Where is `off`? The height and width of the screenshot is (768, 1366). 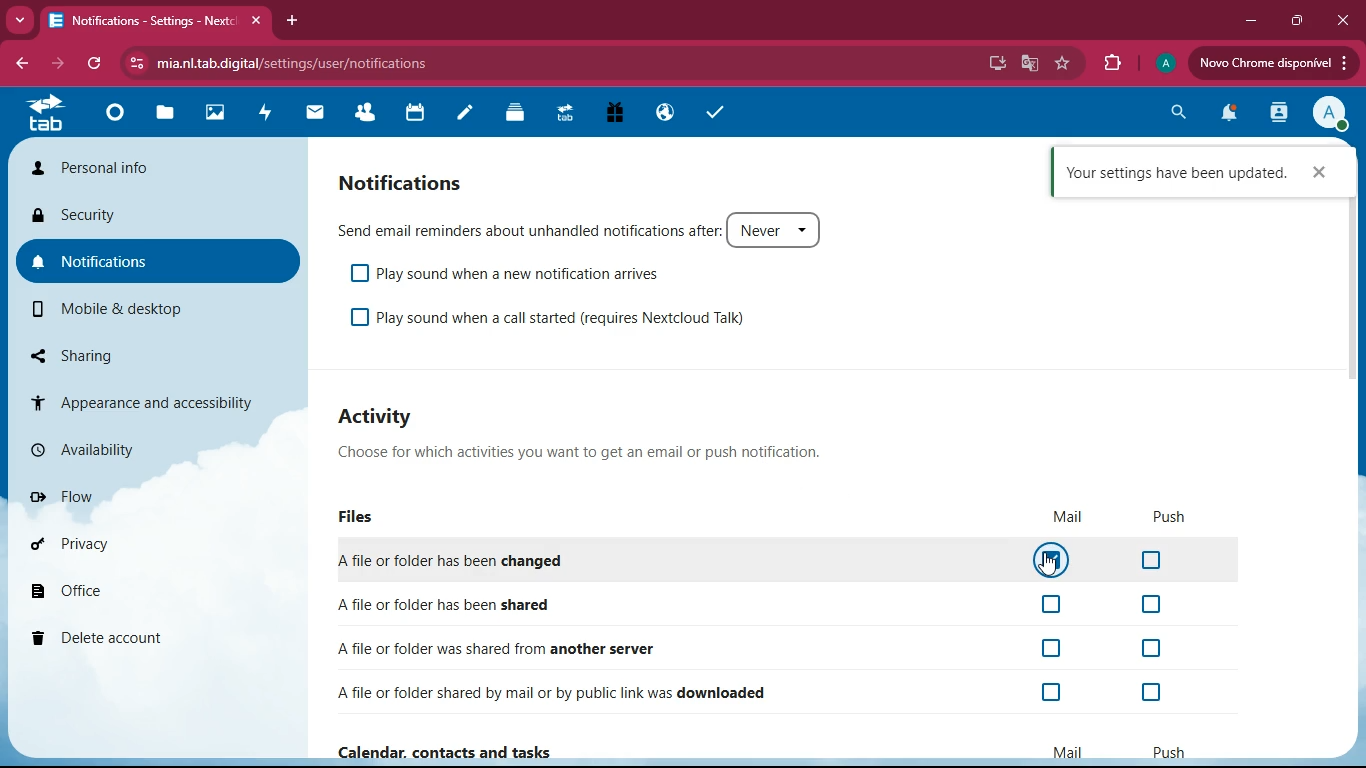 off is located at coordinates (1154, 648).